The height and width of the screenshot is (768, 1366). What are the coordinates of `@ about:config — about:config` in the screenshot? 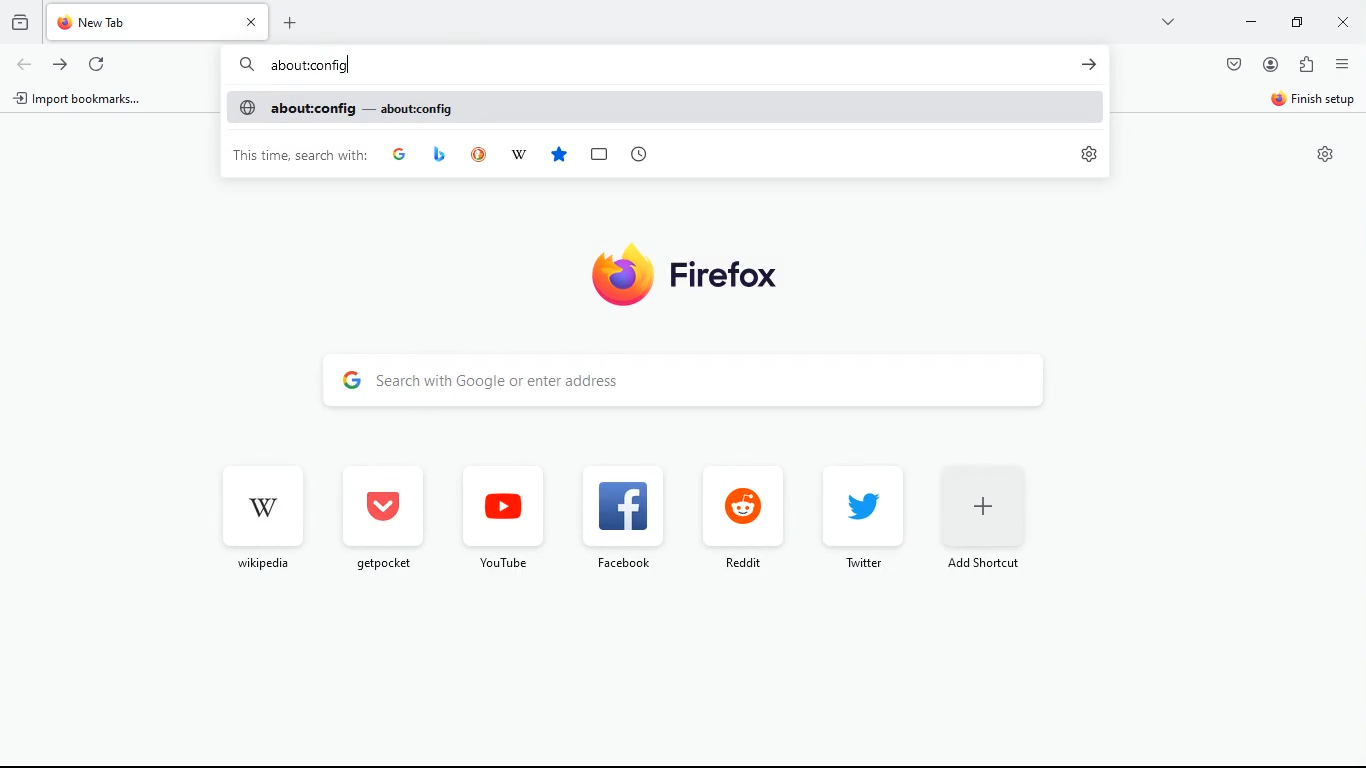 It's located at (346, 107).